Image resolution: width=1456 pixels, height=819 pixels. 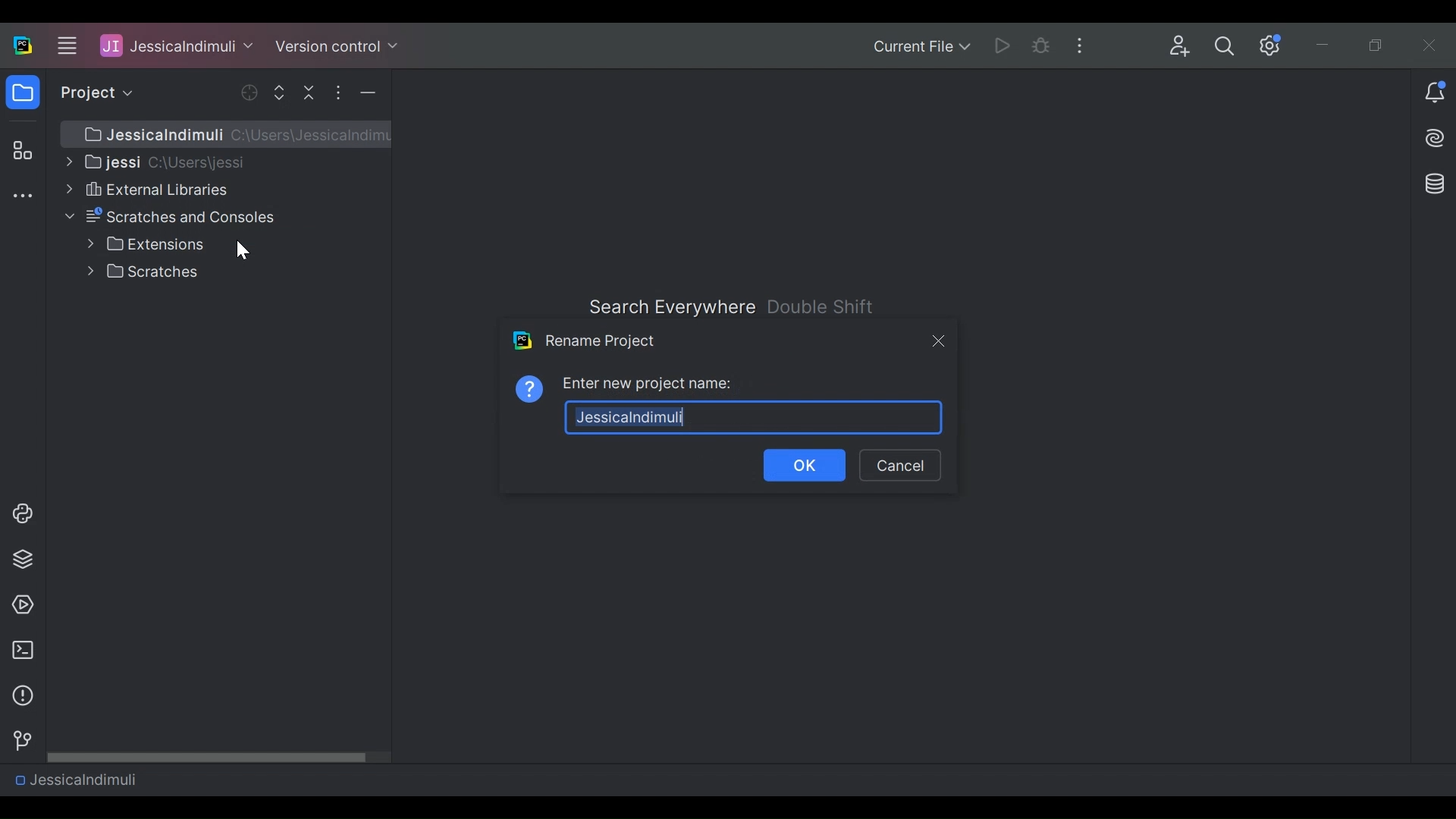 What do you see at coordinates (173, 217) in the screenshot?
I see `Scratches and Console File` at bounding box center [173, 217].